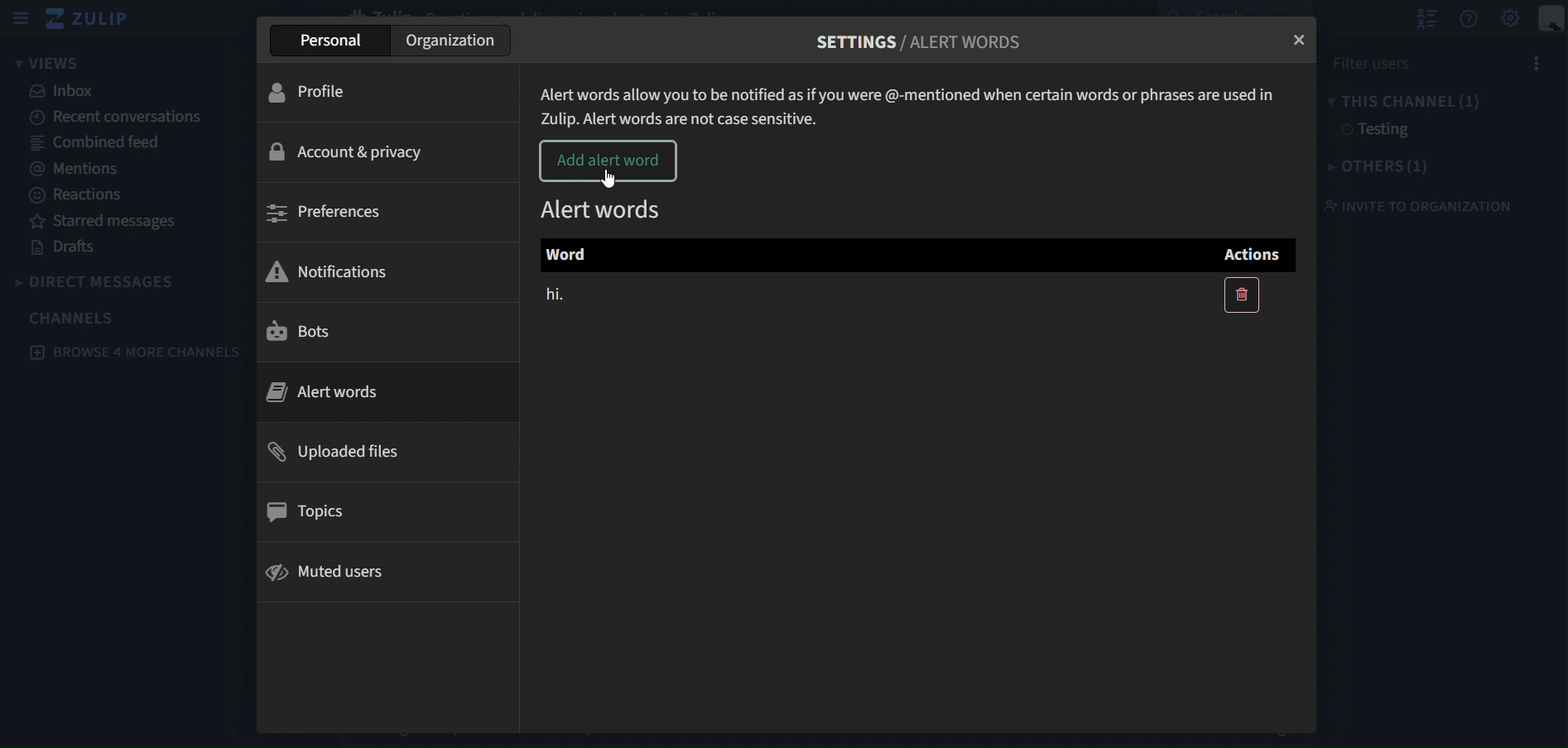  Describe the element at coordinates (71, 250) in the screenshot. I see `drafts` at that location.